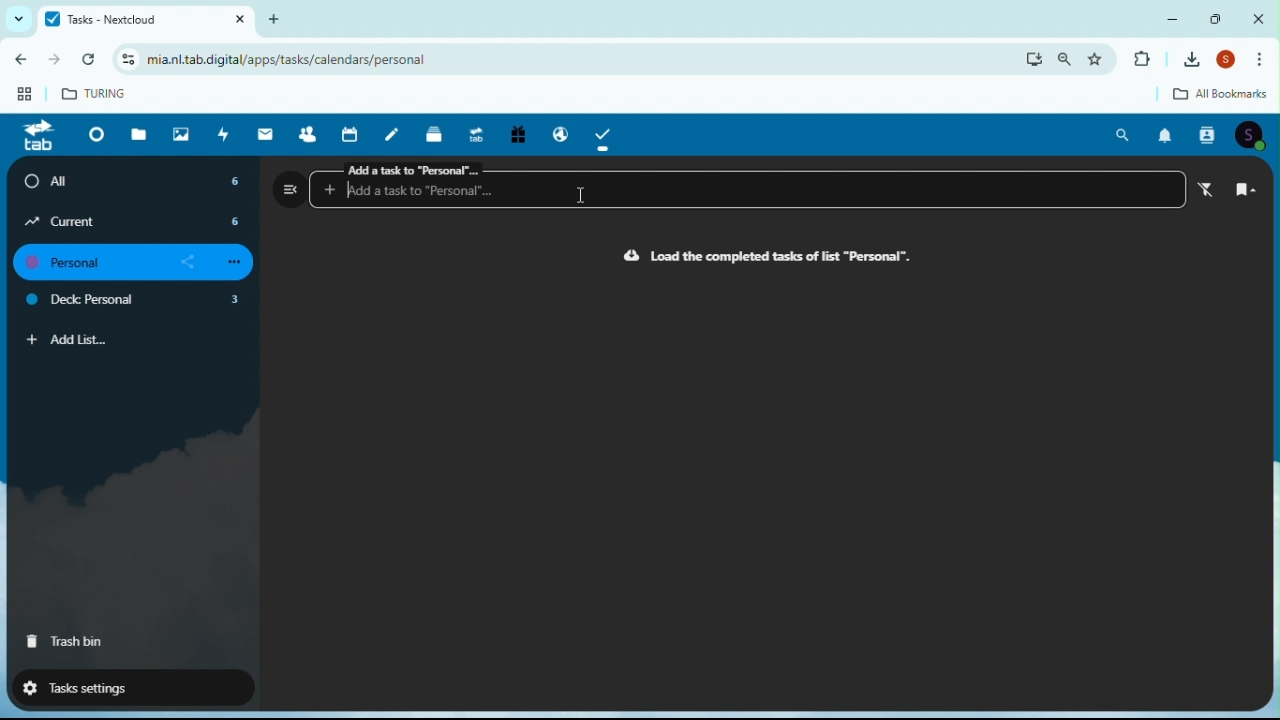 This screenshot has width=1280, height=720. Describe the element at coordinates (136, 181) in the screenshot. I see `All` at that location.